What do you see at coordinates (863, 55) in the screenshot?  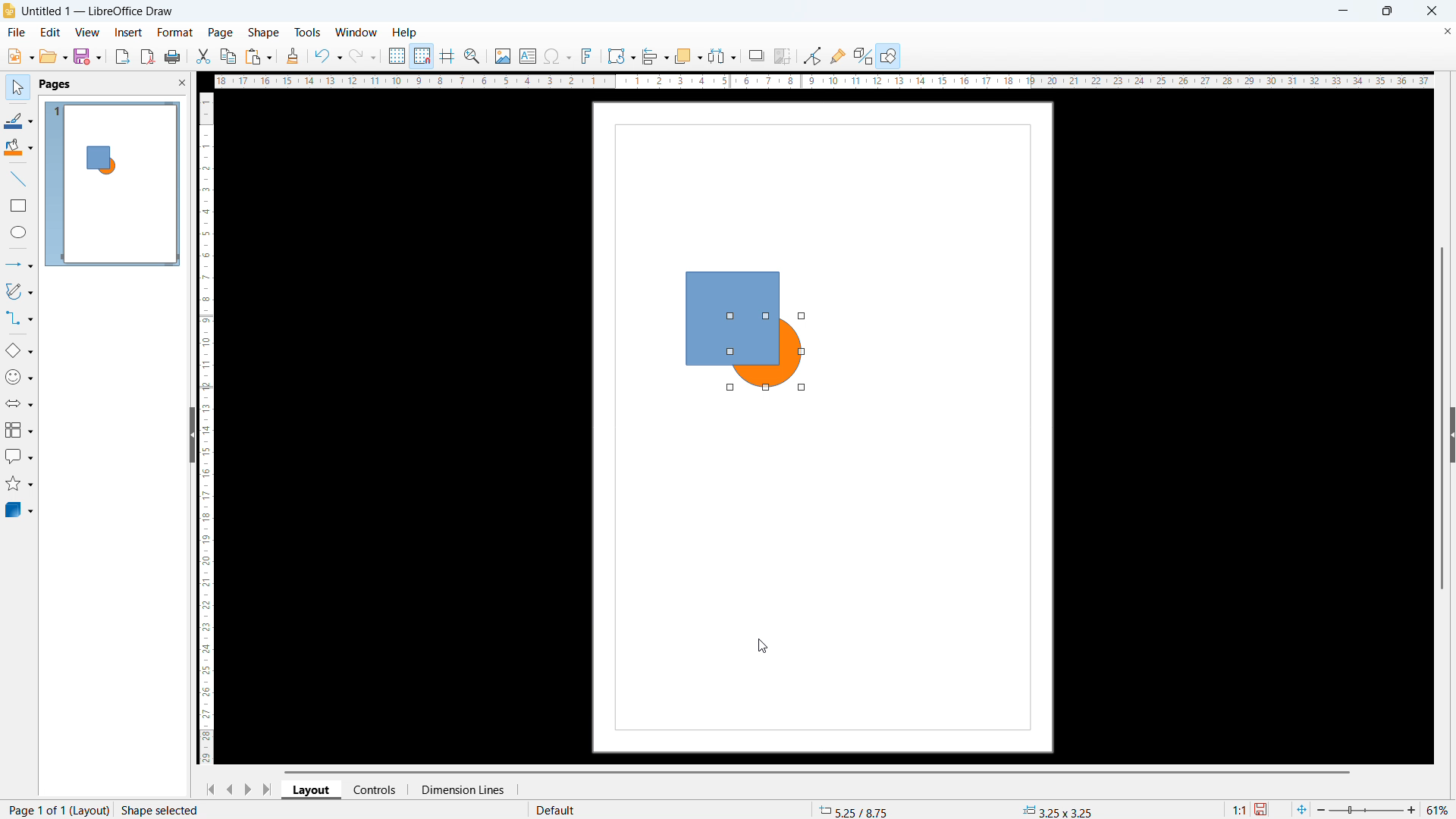 I see `toggle extrusion` at bounding box center [863, 55].